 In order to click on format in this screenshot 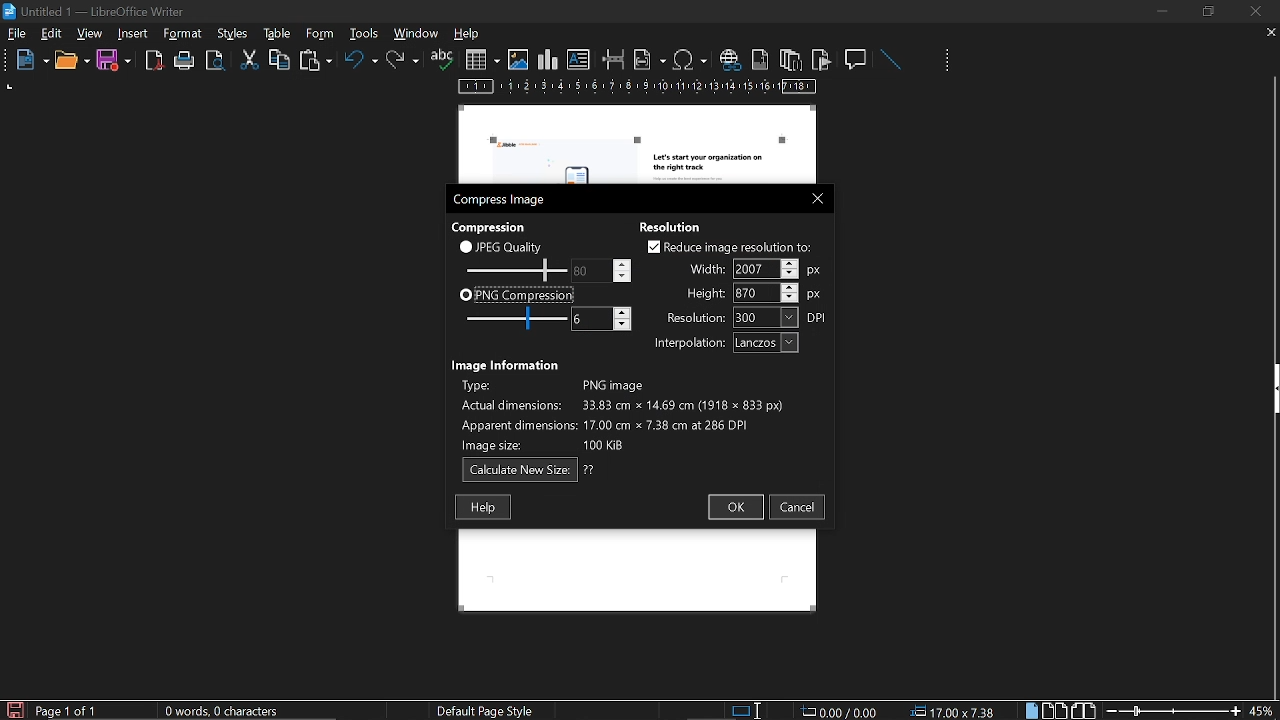, I will do `click(231, 32)`.